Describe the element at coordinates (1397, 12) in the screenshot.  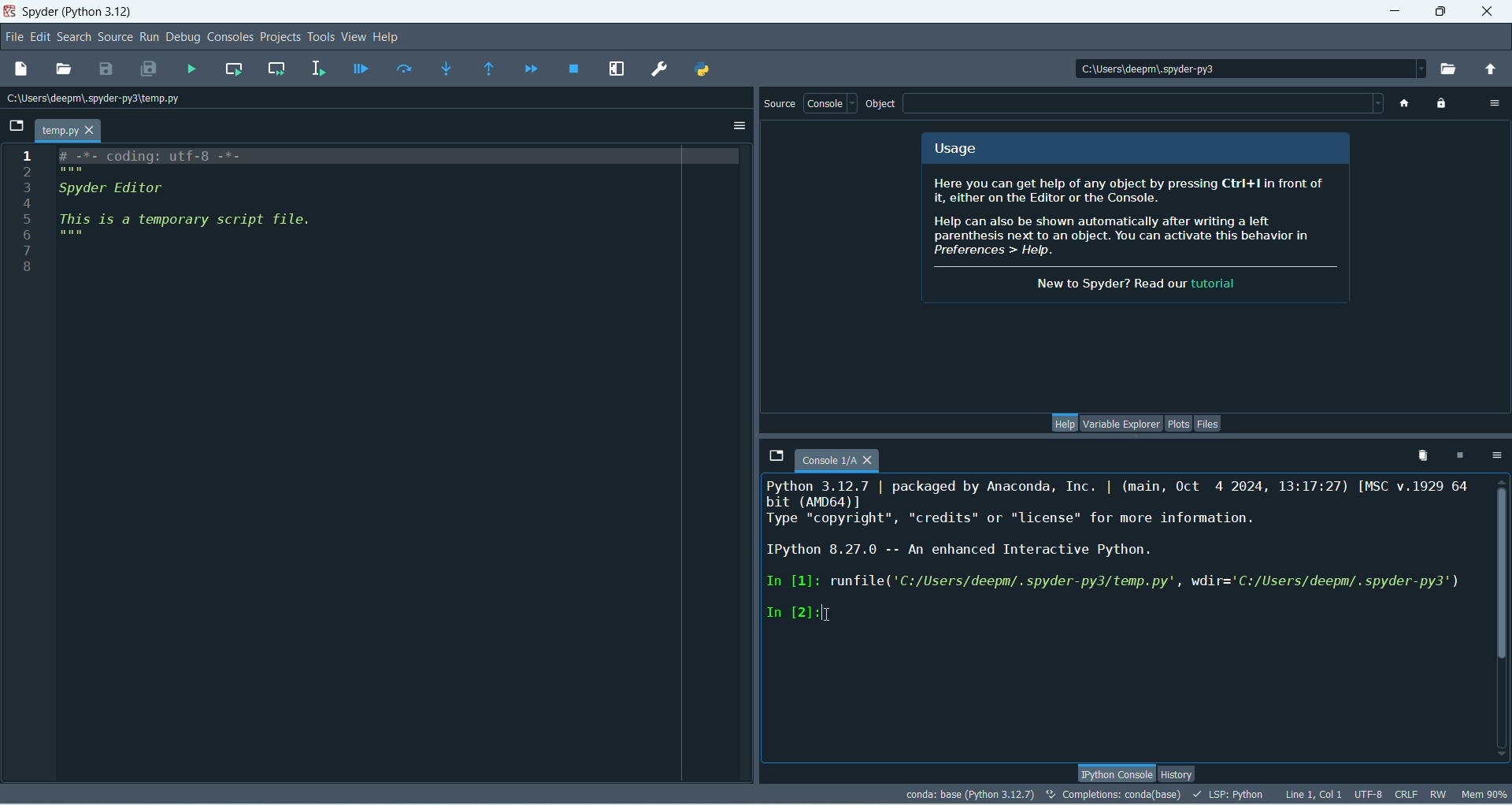
I see `minimize` at that location.